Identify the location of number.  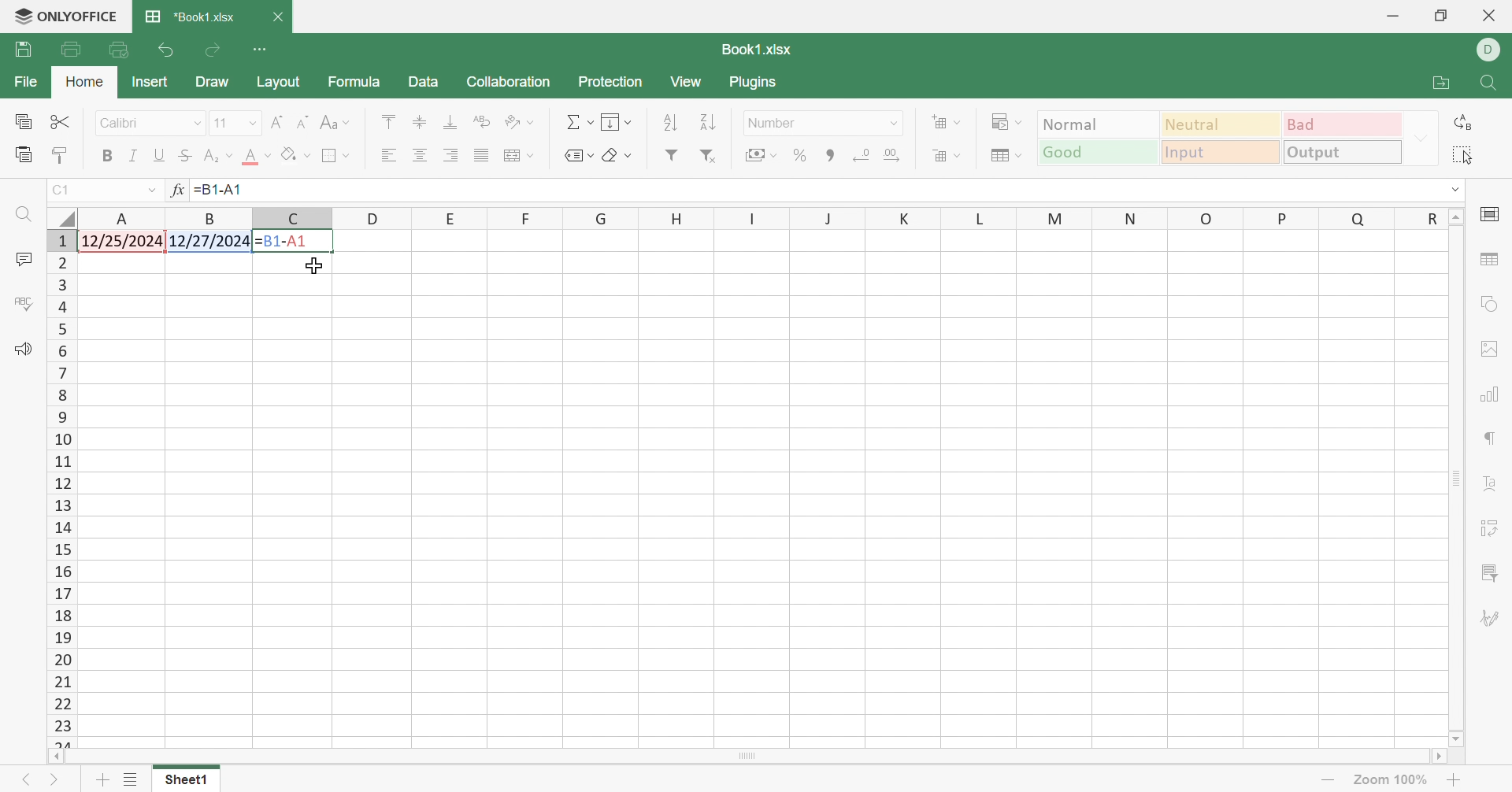
(777, 124).